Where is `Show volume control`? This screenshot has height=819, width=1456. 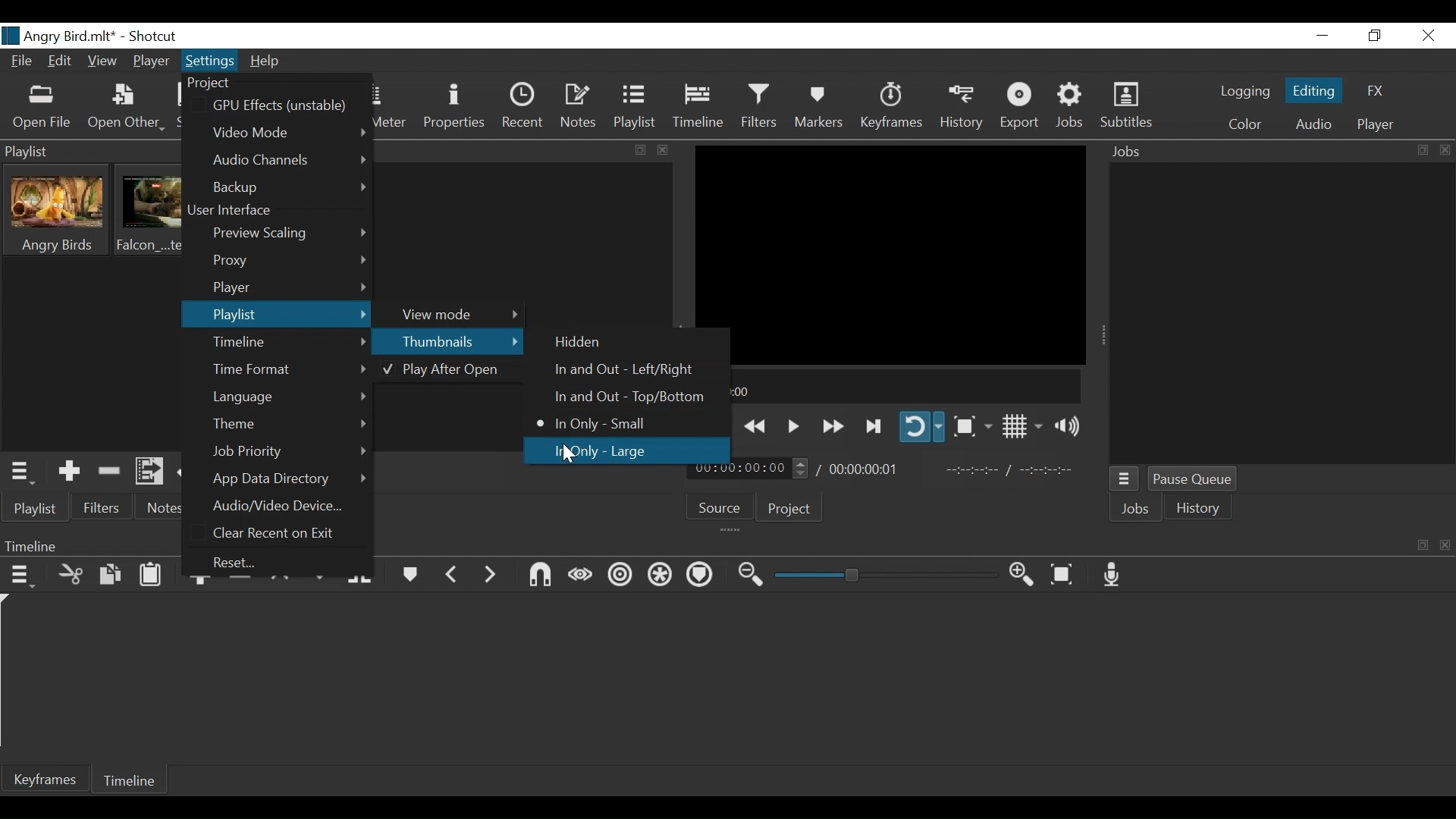 Show volume control is located at coordinates (1065, 426).